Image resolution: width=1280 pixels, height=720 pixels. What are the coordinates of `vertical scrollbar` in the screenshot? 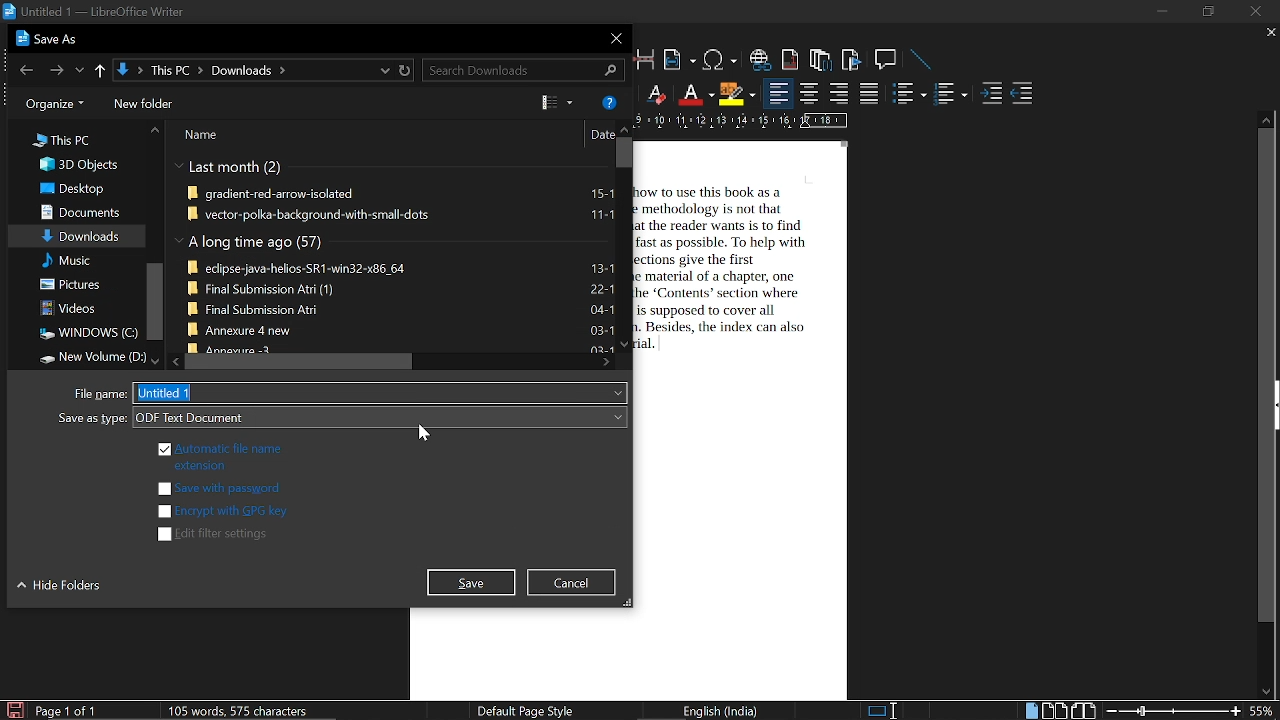 It's located at (153, 303).